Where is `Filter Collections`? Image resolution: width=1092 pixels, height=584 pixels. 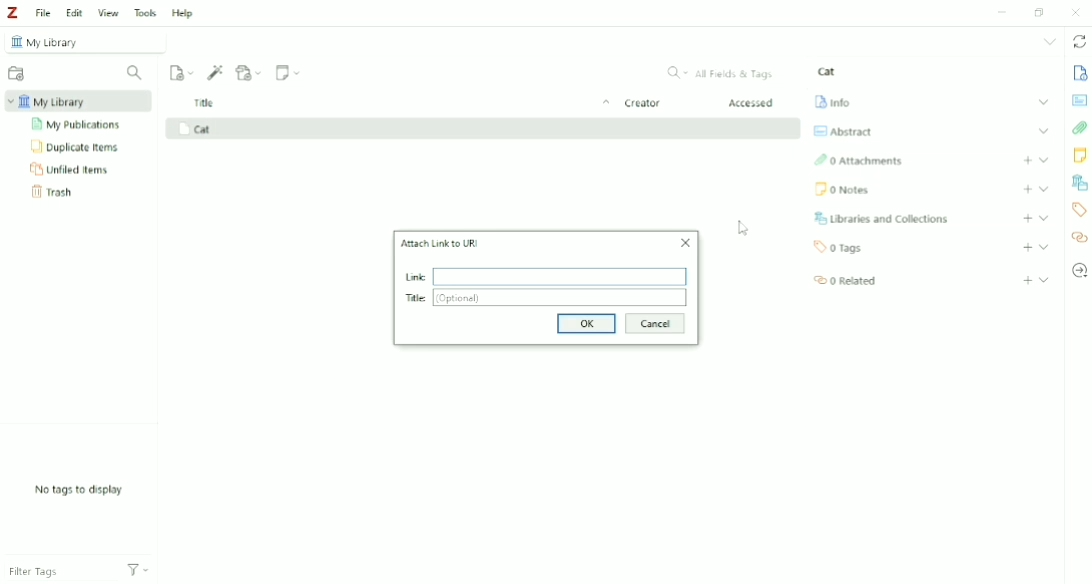 Filter Collections is located at coordinates (135, 73).